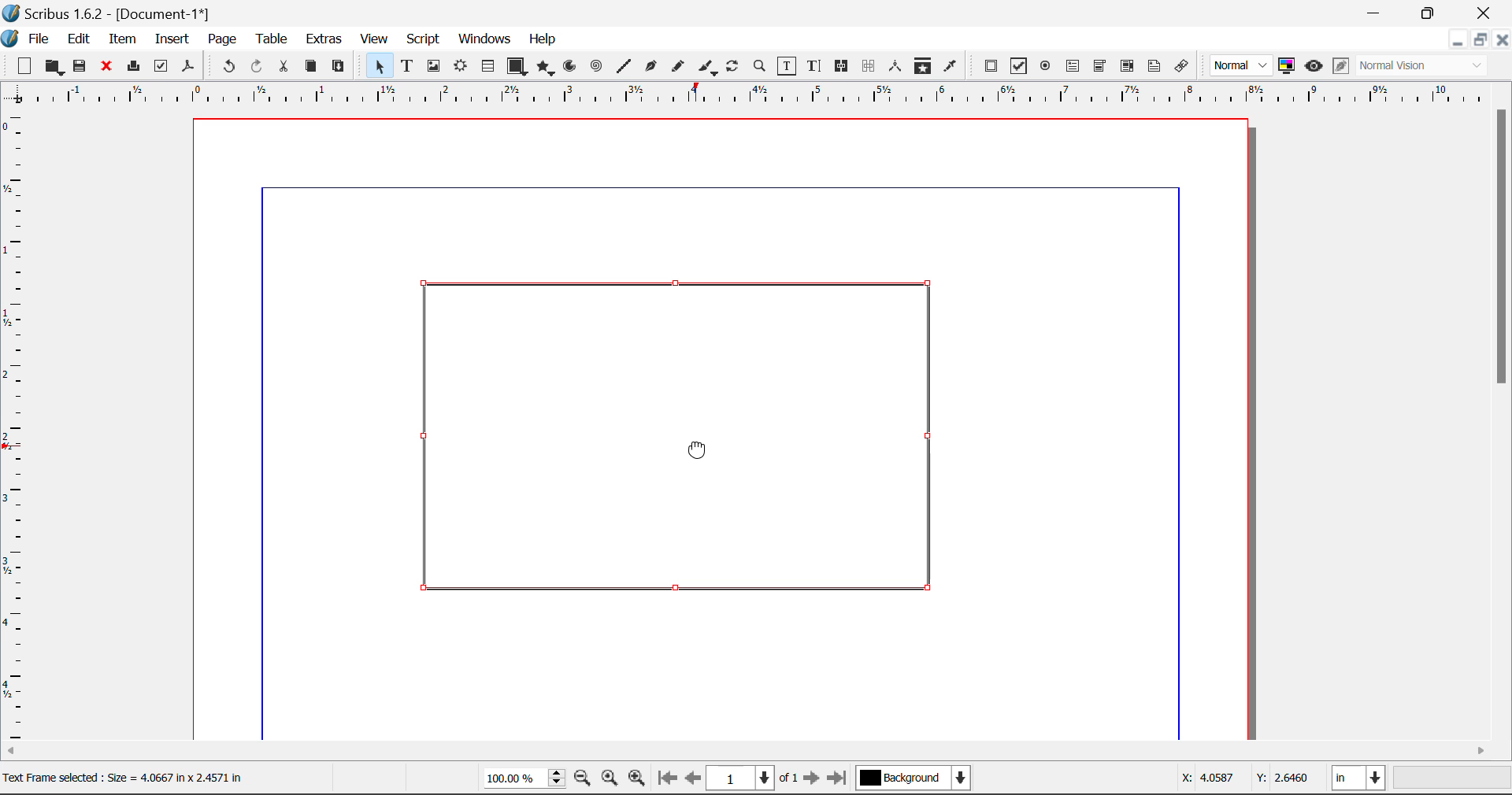 This screenshot has height=795, width=1512. What do you see at coordinates (221, 39) in the screenshot?
I see `Page` at bounding box center [221, 39].